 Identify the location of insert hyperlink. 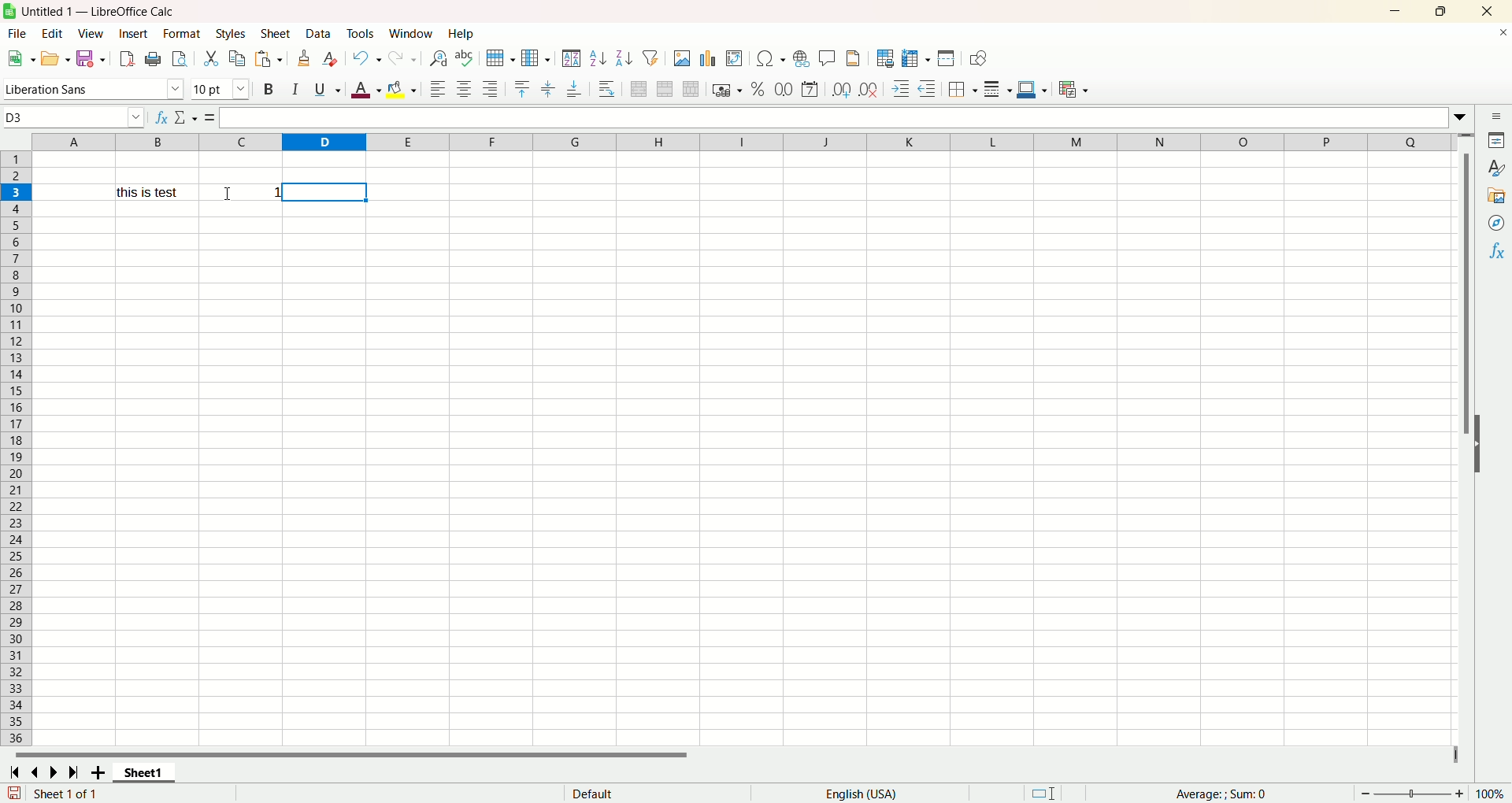
(801, 58).